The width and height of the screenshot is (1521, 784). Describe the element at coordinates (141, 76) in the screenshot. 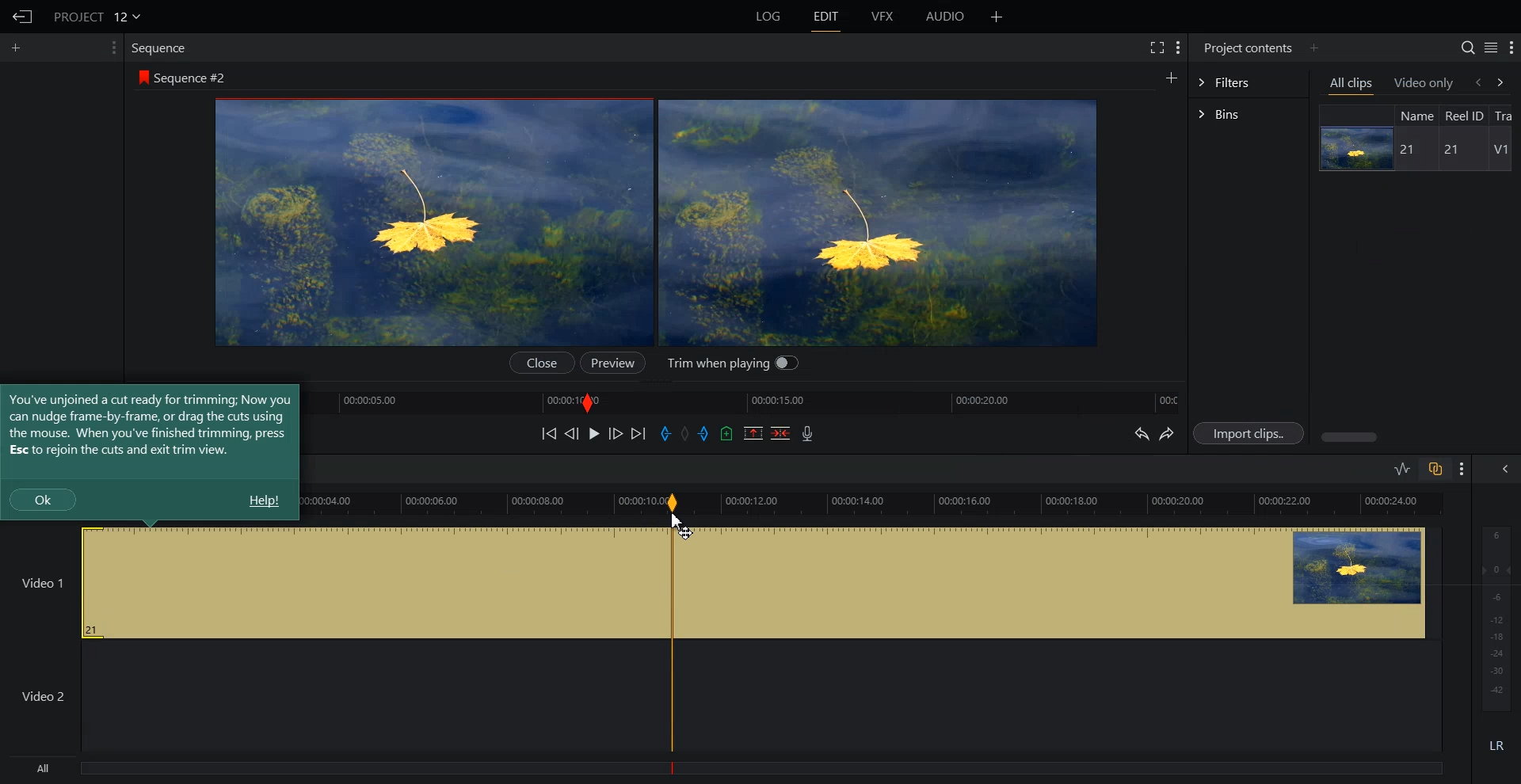

I see `logo` at that location.